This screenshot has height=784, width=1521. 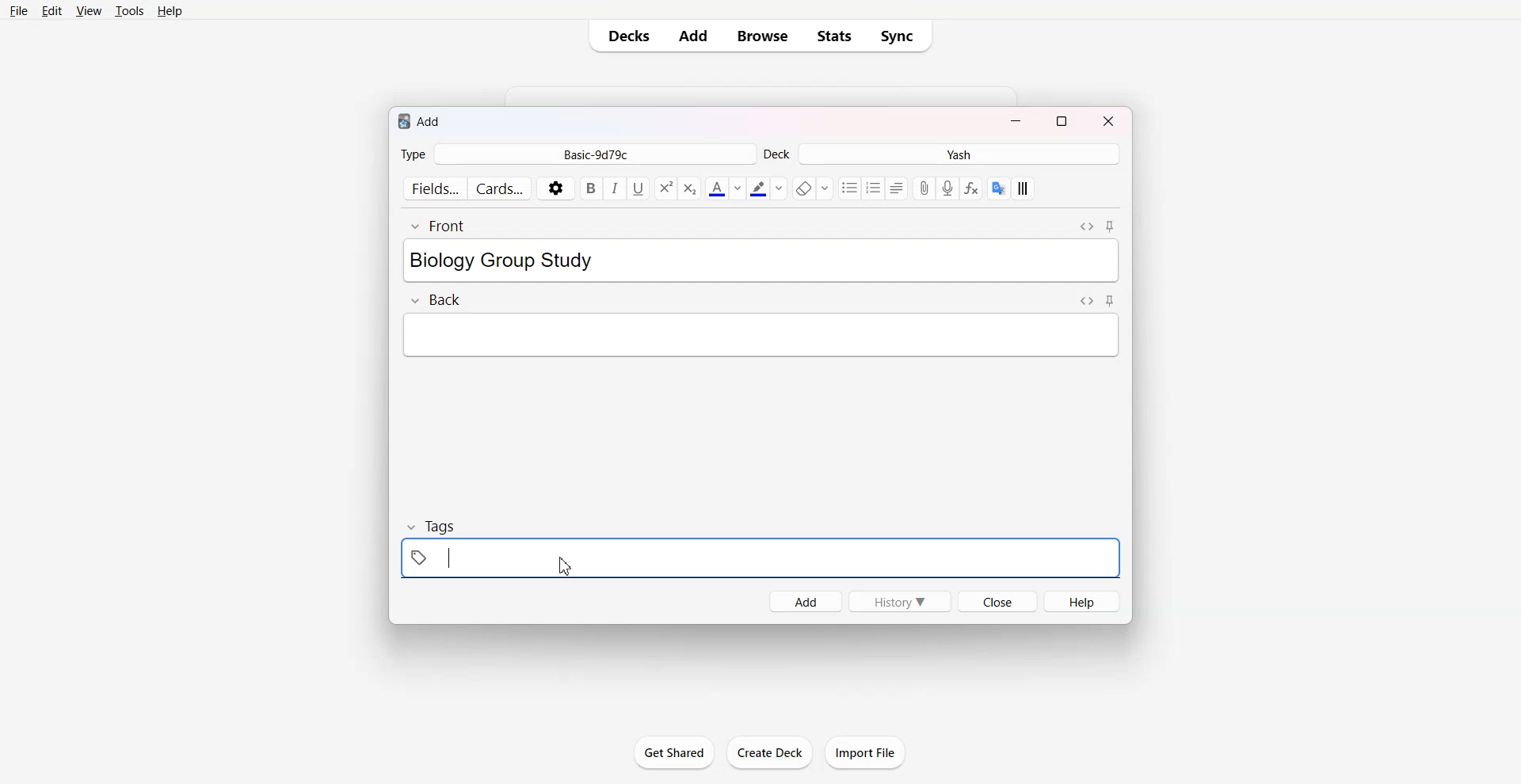 I want to click on Subscript, so click(x=665, y=188).